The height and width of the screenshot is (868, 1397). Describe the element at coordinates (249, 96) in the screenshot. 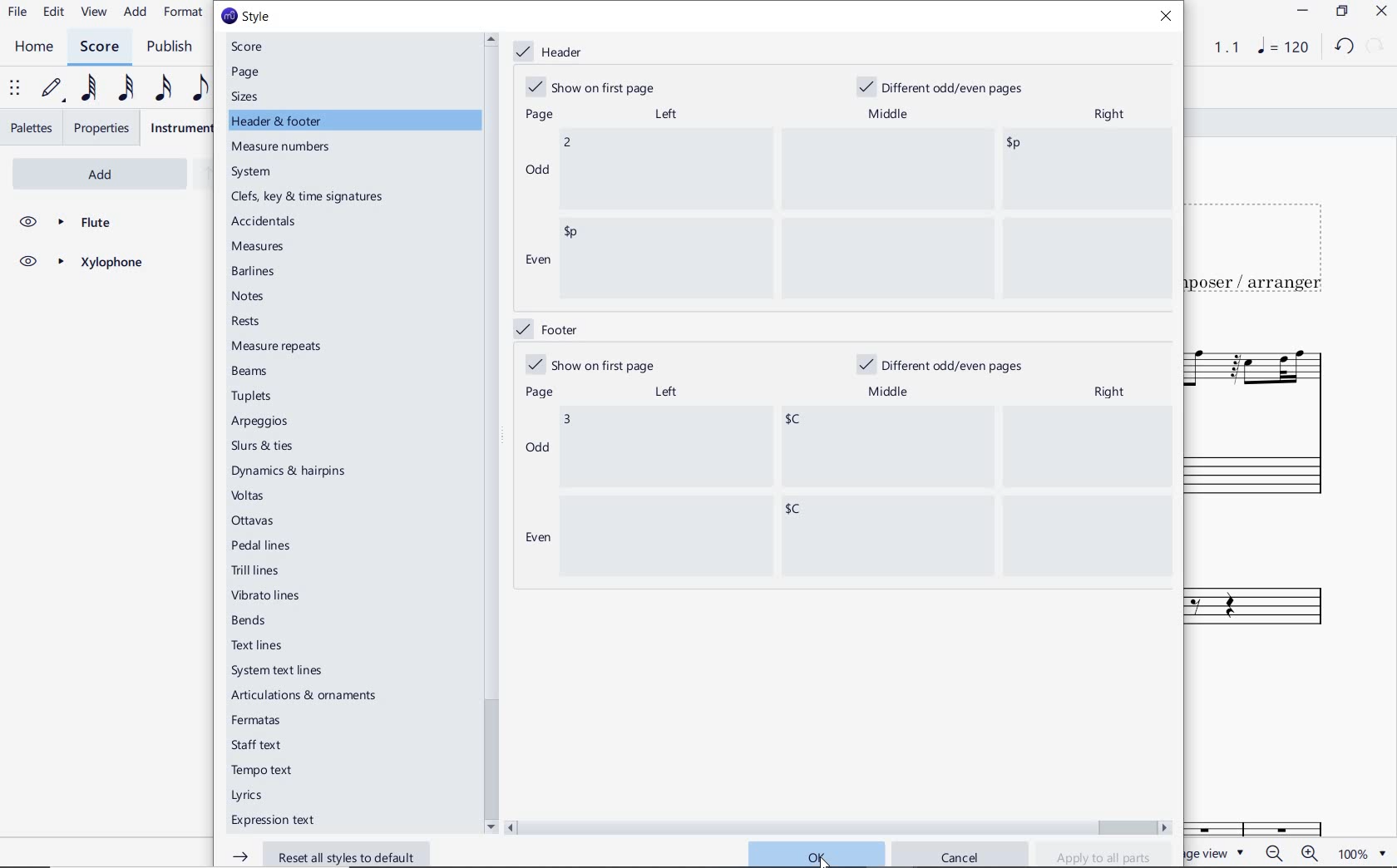

I see `sizes` at that location.